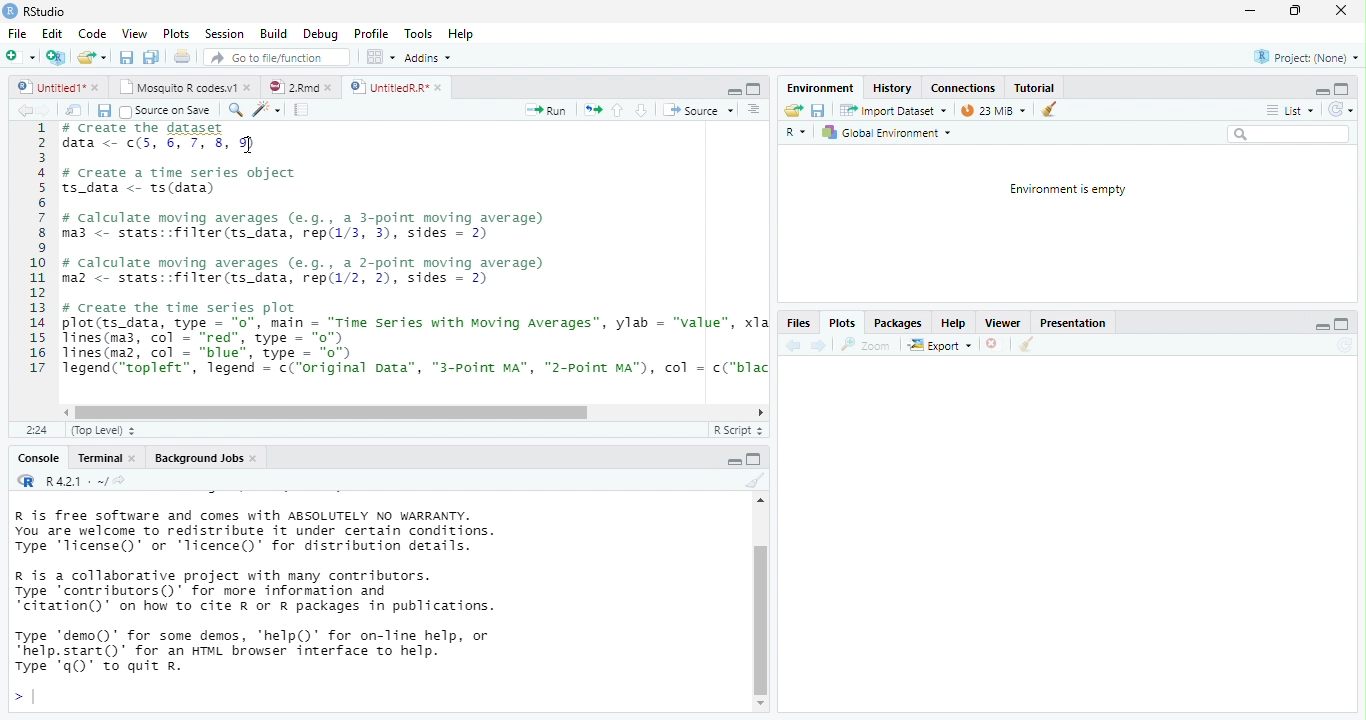  Describe the element at coordinates (1340, 325) in the screenshot. I see `maximize` at that location.